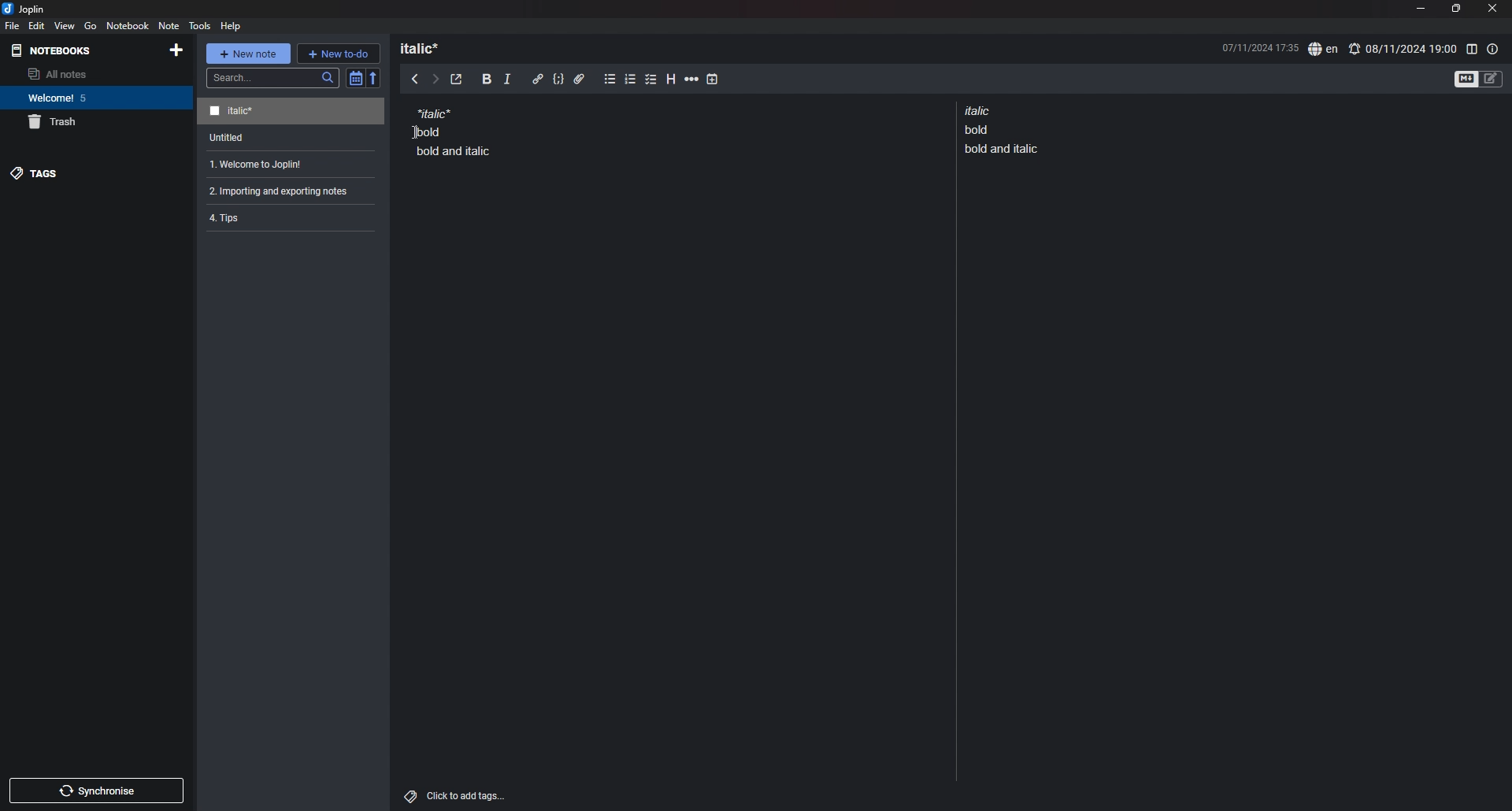  I want to click on bold, so click(487, 80).